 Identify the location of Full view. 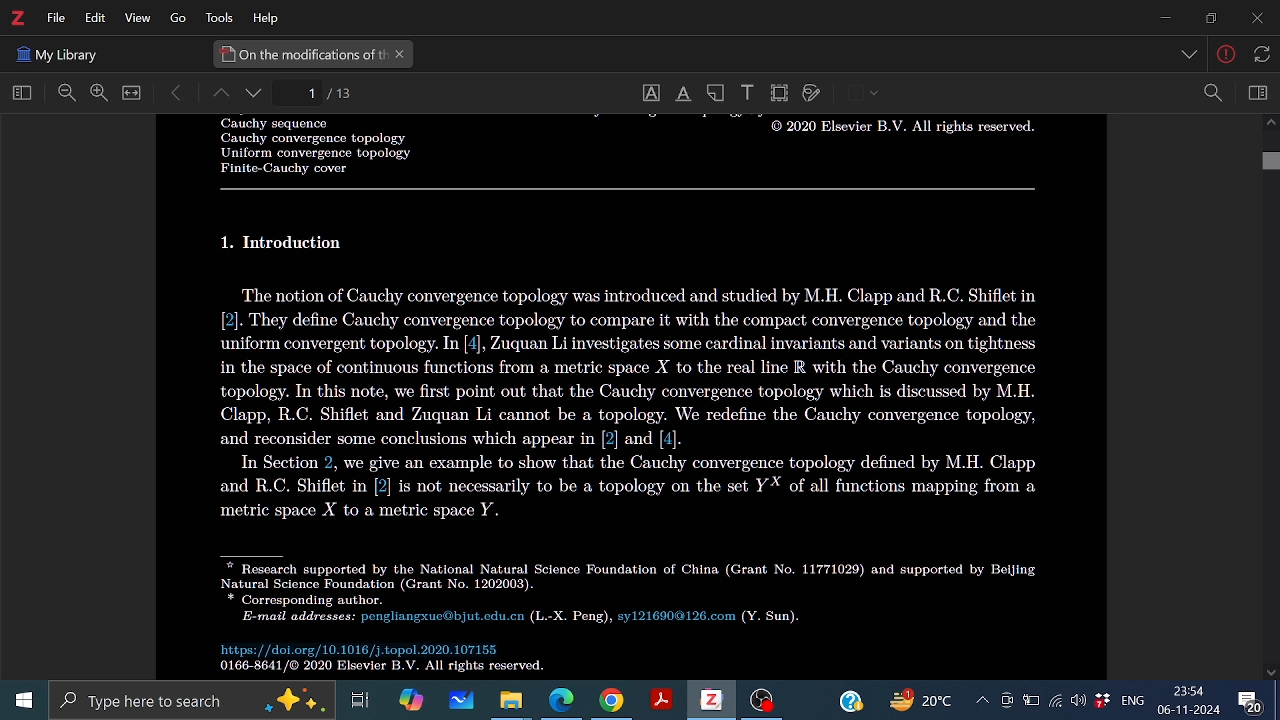
(132, 93).